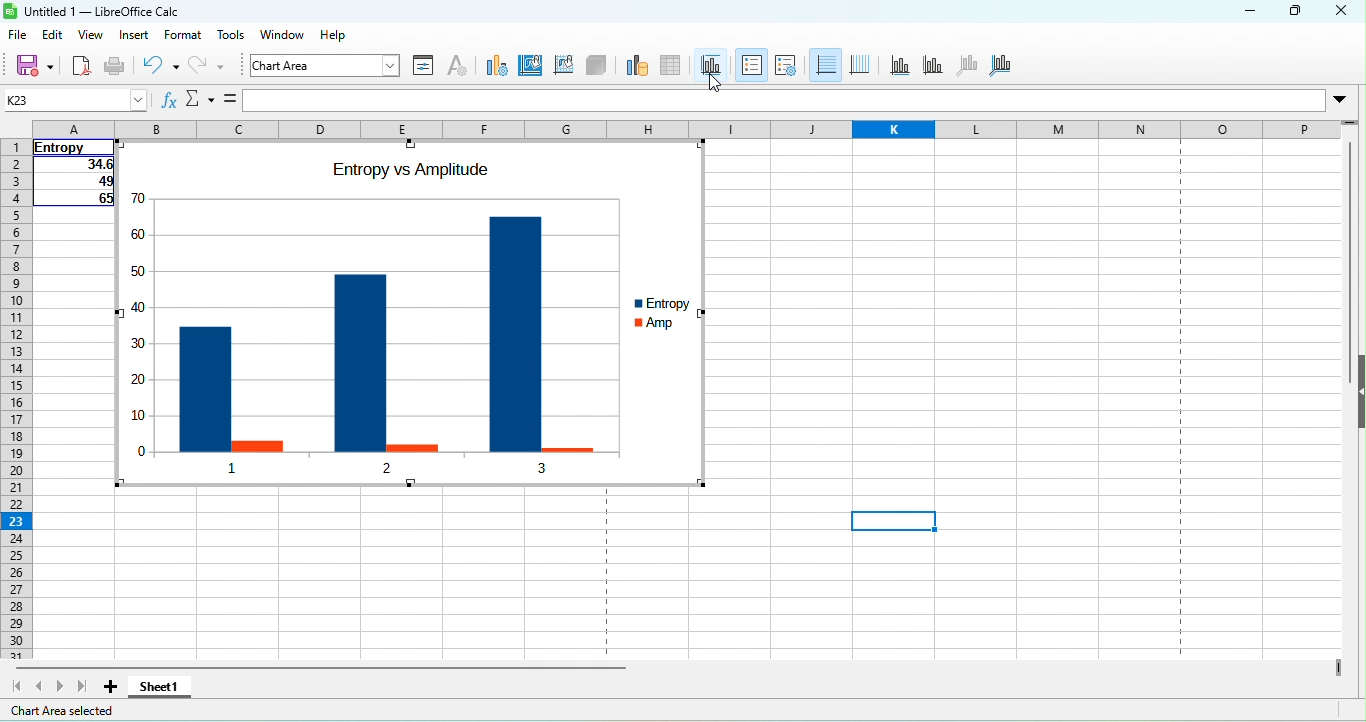 This screenshot has width=1366, height=722. Describe the element at coordinates (671, 301) in the screenshot. I see `entropy` at that location.